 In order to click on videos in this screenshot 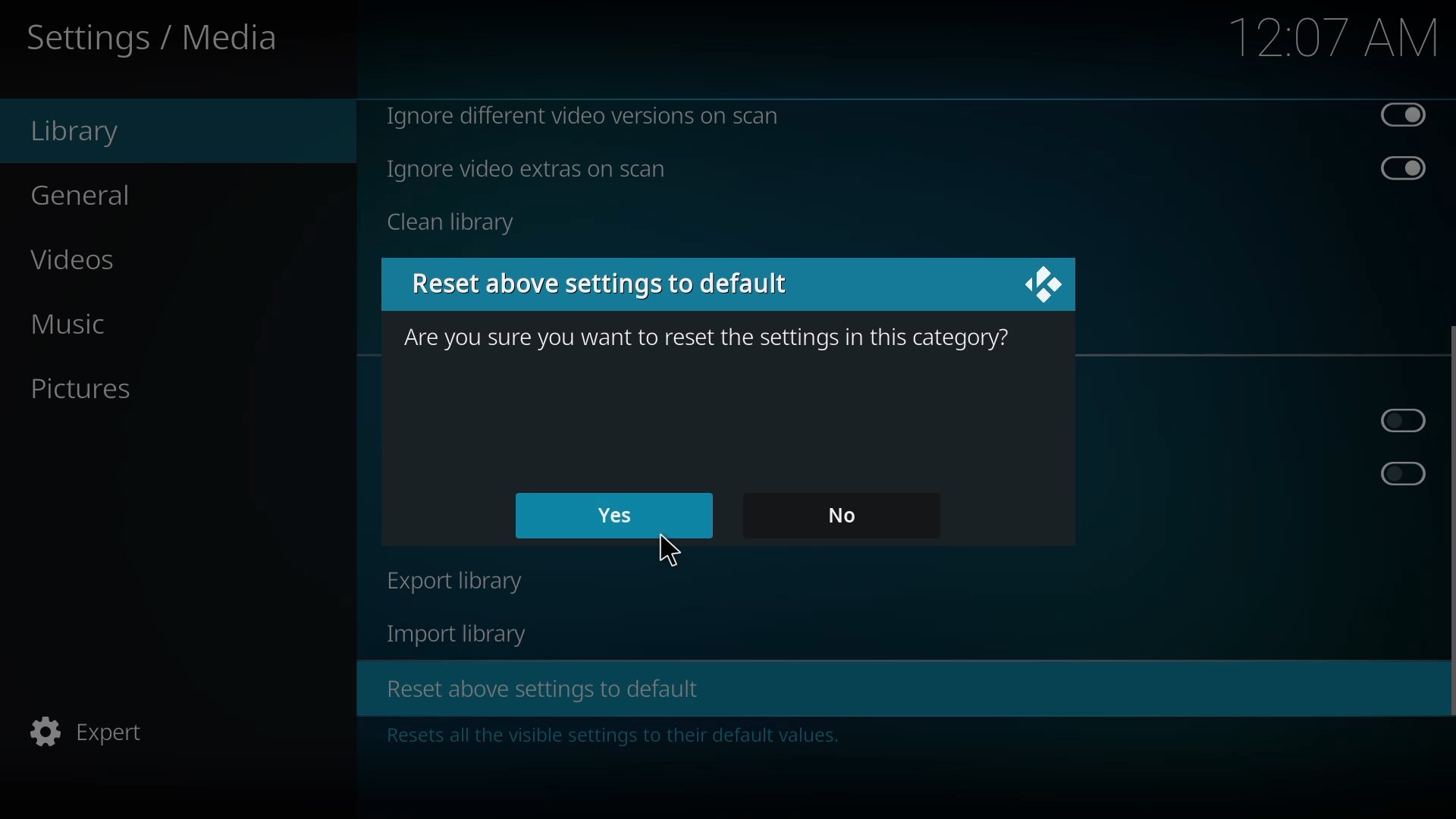, I will do `click(76, 262)`.